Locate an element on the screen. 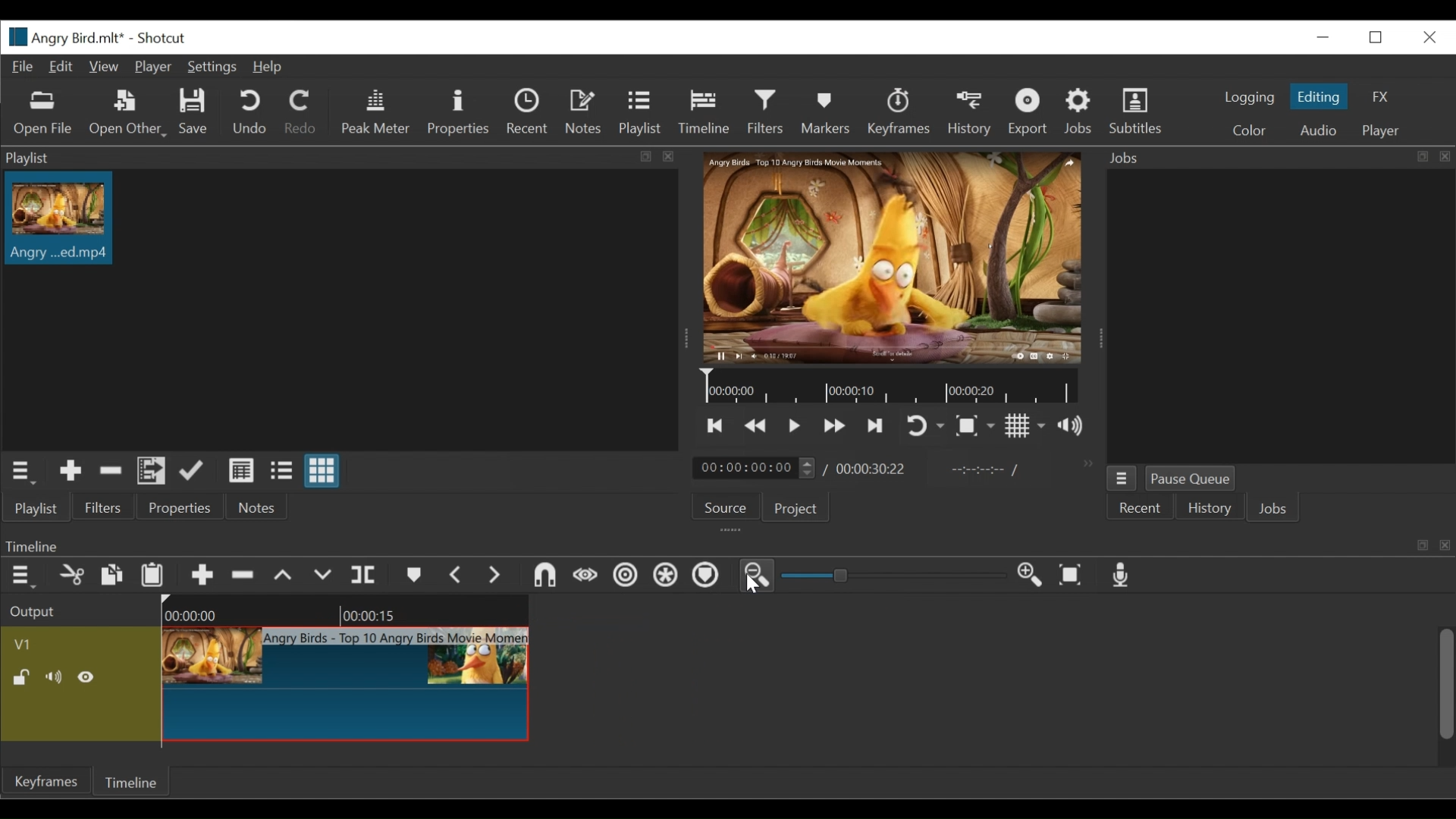  Zoom out timeline is located at coordinates (758, 577).